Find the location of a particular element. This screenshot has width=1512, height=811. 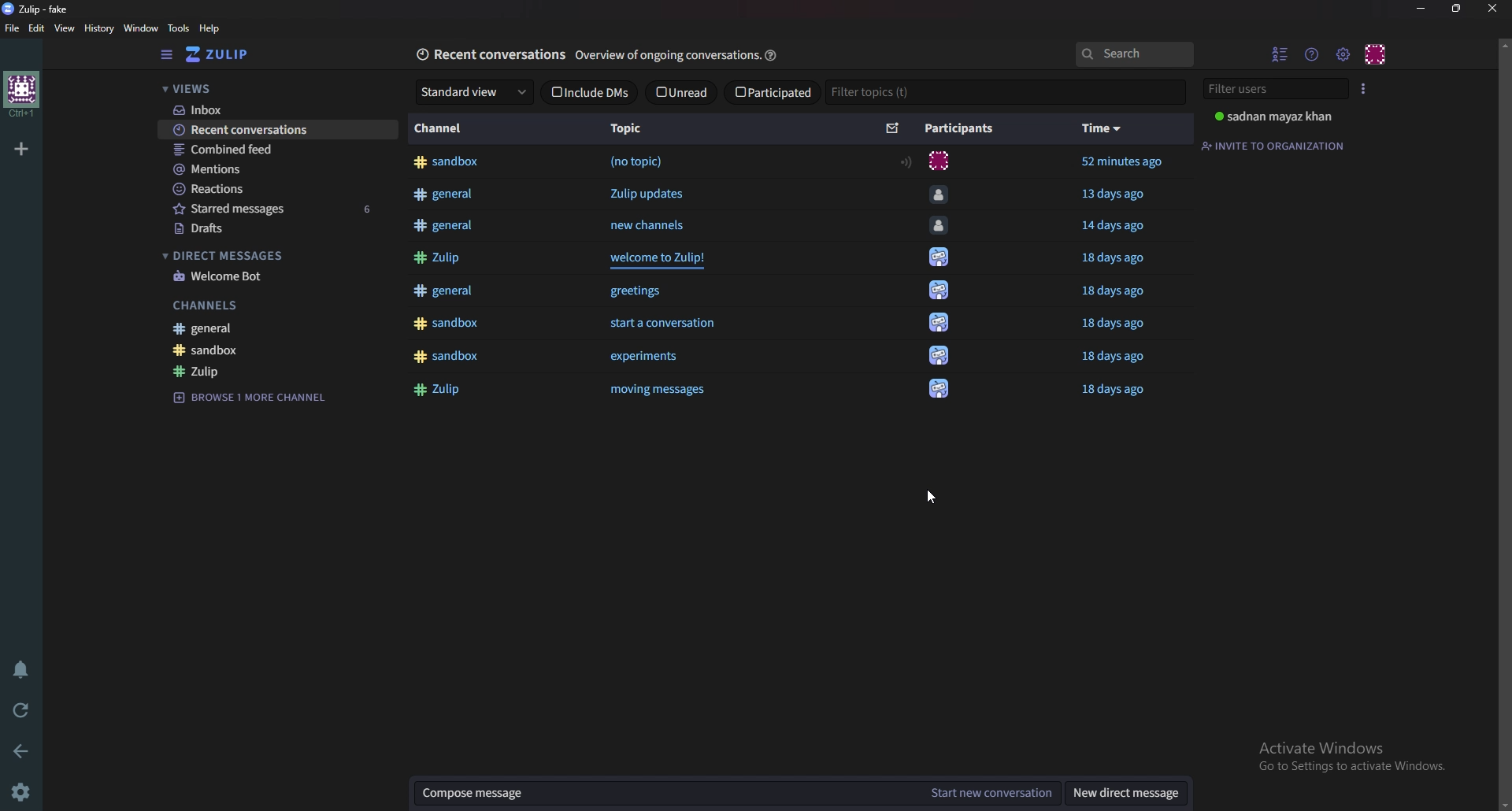

Back is located at coordinates (24, 751).